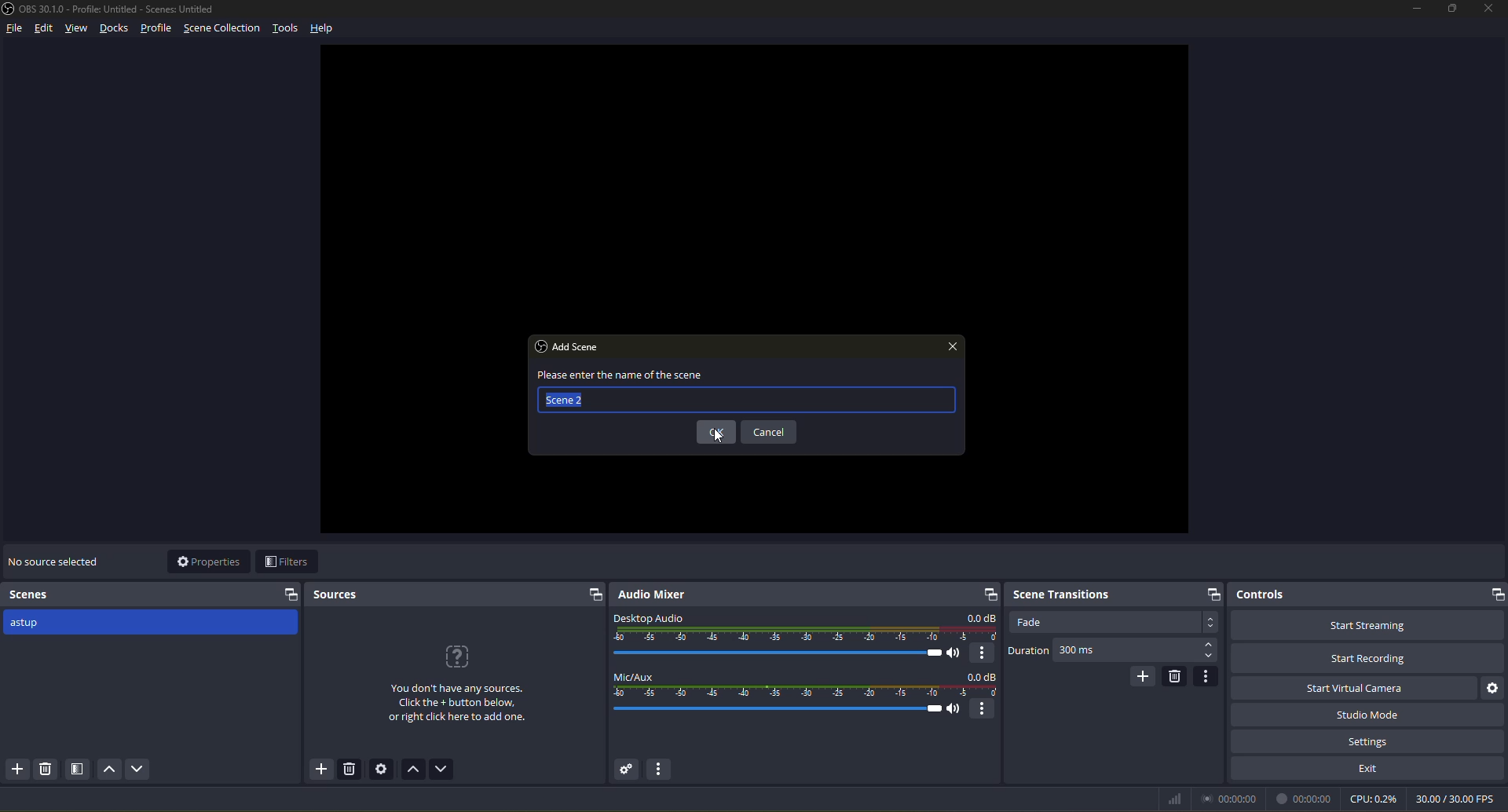 The height and width of the screenshot is (812, 1508). What do you see at coordinates (44, 29) in the screenshot?
I see `edit` at bounding box center [44, 29].